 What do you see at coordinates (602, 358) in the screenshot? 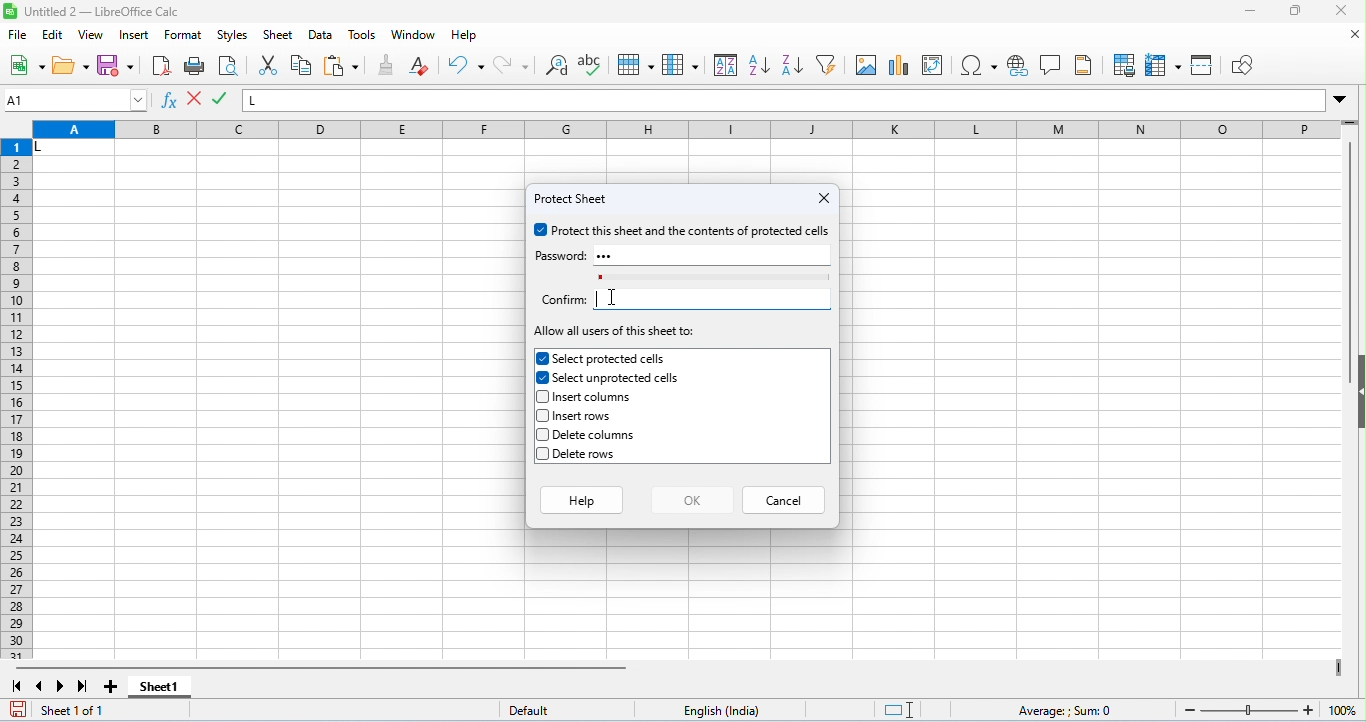
I see `select protected cells` at bounding box center [602, 358].